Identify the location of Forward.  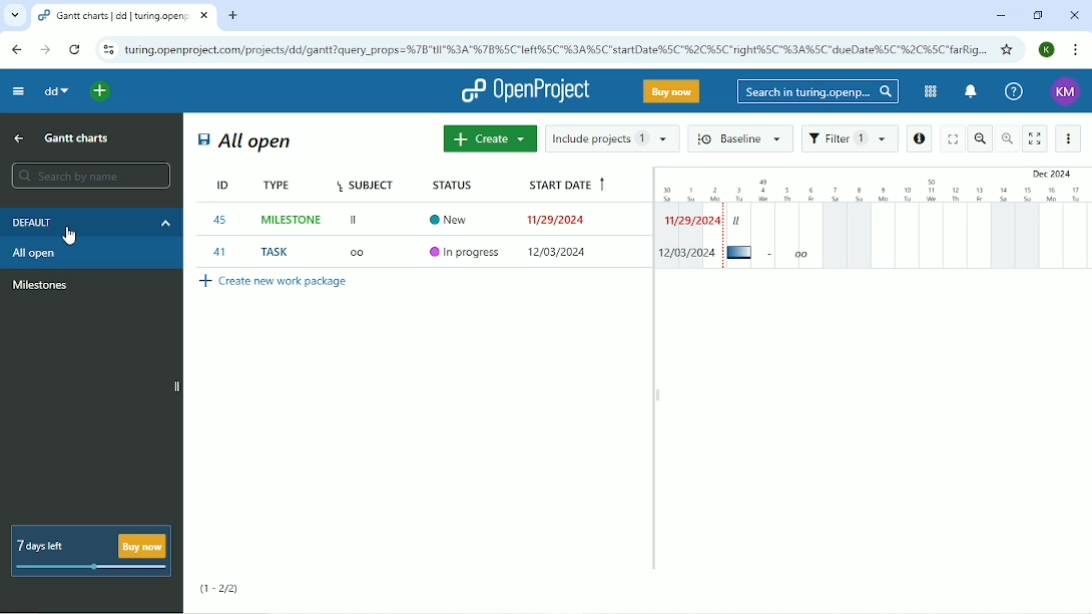
(46, 49).